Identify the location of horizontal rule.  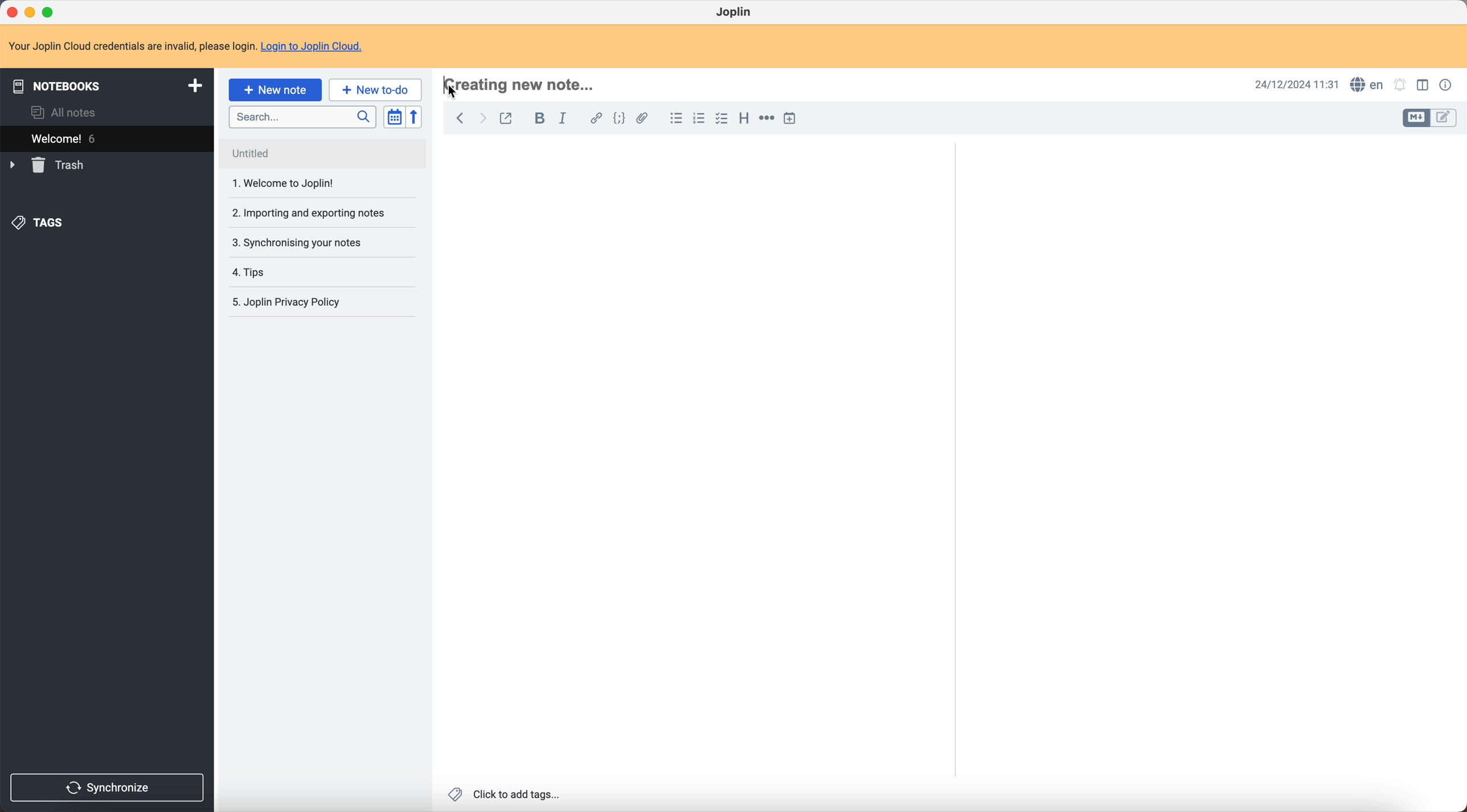
(767, 118).